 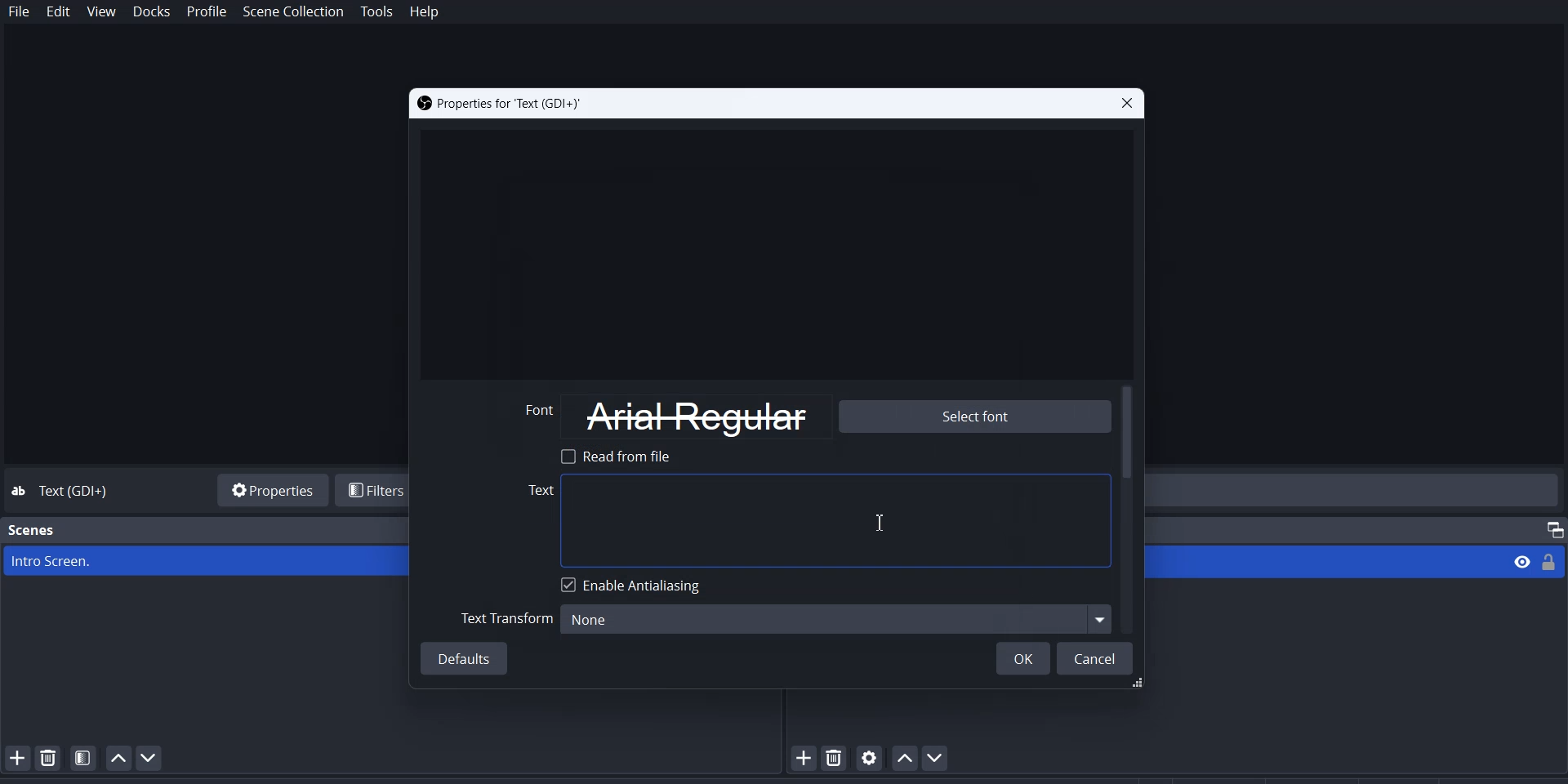 What do you see at coordinates (49, 757) in the screenshot?
I see `Remove Selected Scene` at bounding box center [49, 757].